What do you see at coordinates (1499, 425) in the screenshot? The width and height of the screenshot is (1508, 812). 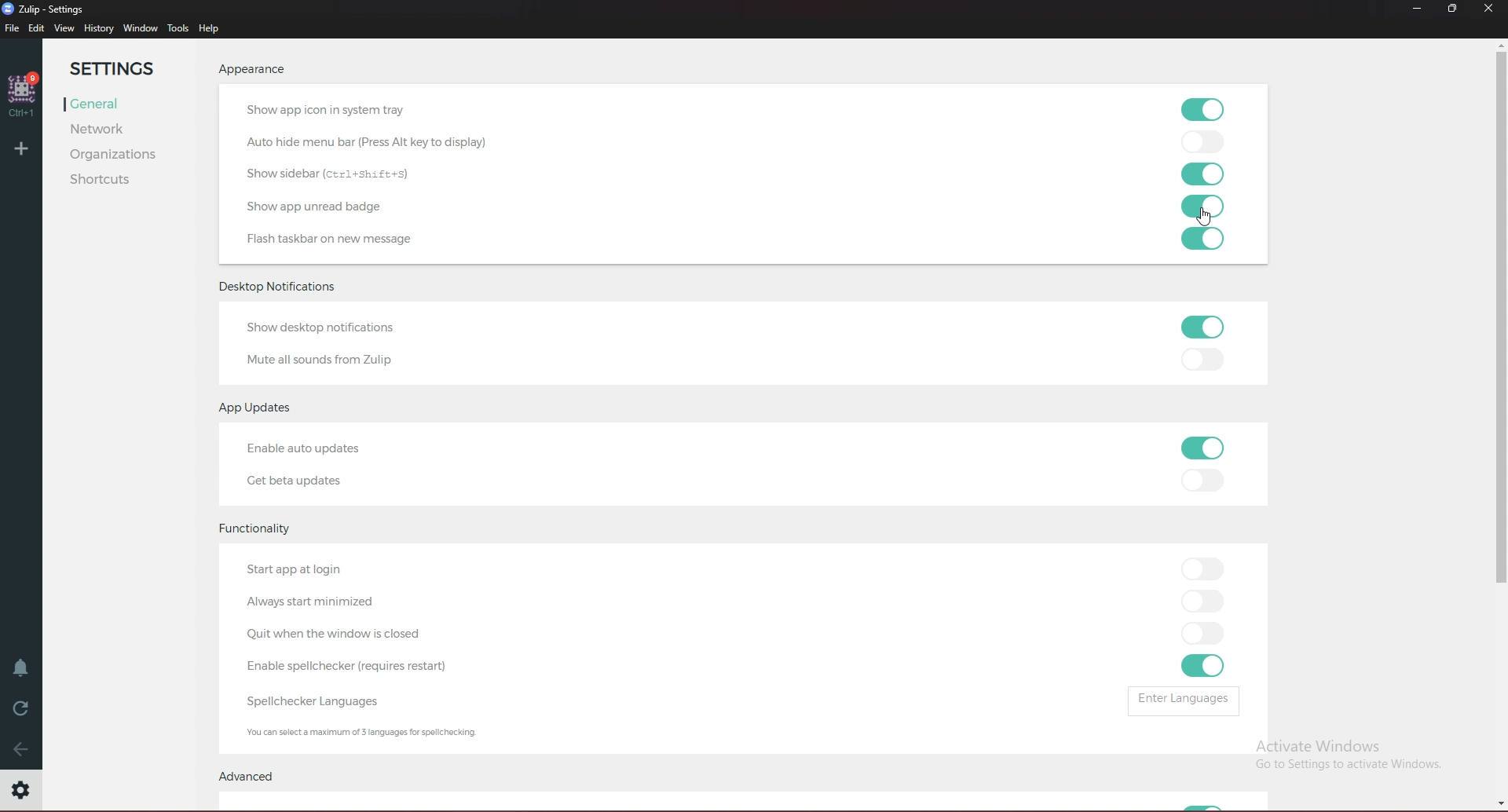 I see `scroll bar` at bounding box center [1499, 425].